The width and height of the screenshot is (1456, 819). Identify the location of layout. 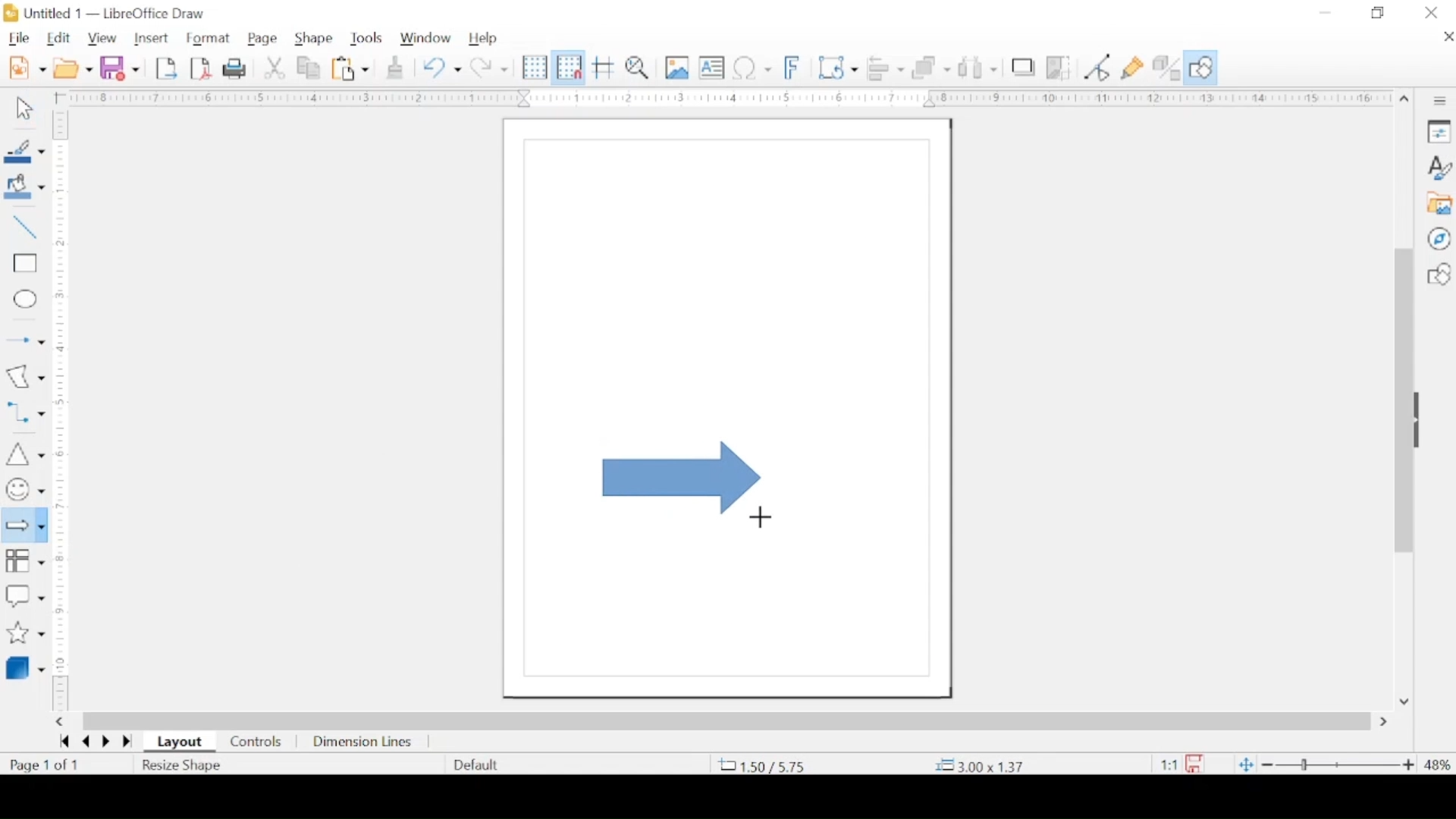
(180, 742).